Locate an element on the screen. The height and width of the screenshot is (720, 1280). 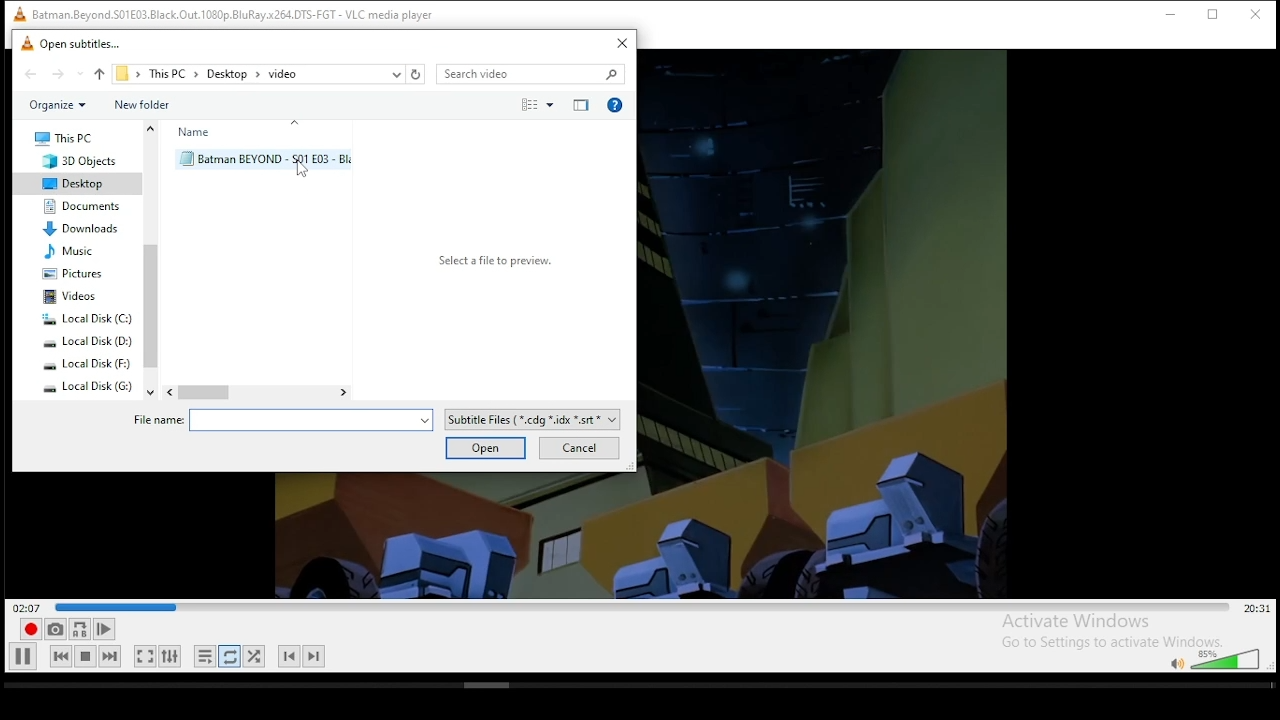
system drive 2 is located at coordinates (89, 343).